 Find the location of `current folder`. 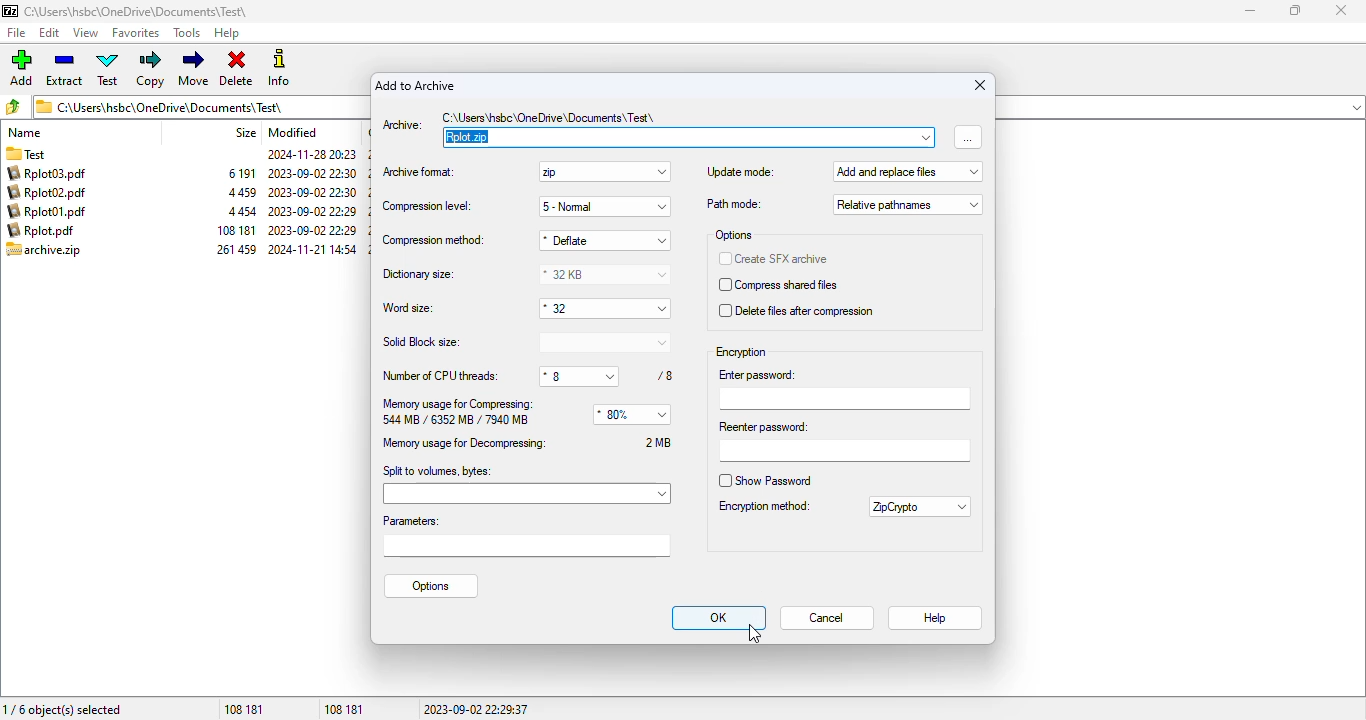

current folder is located at coordinates (200, 106).